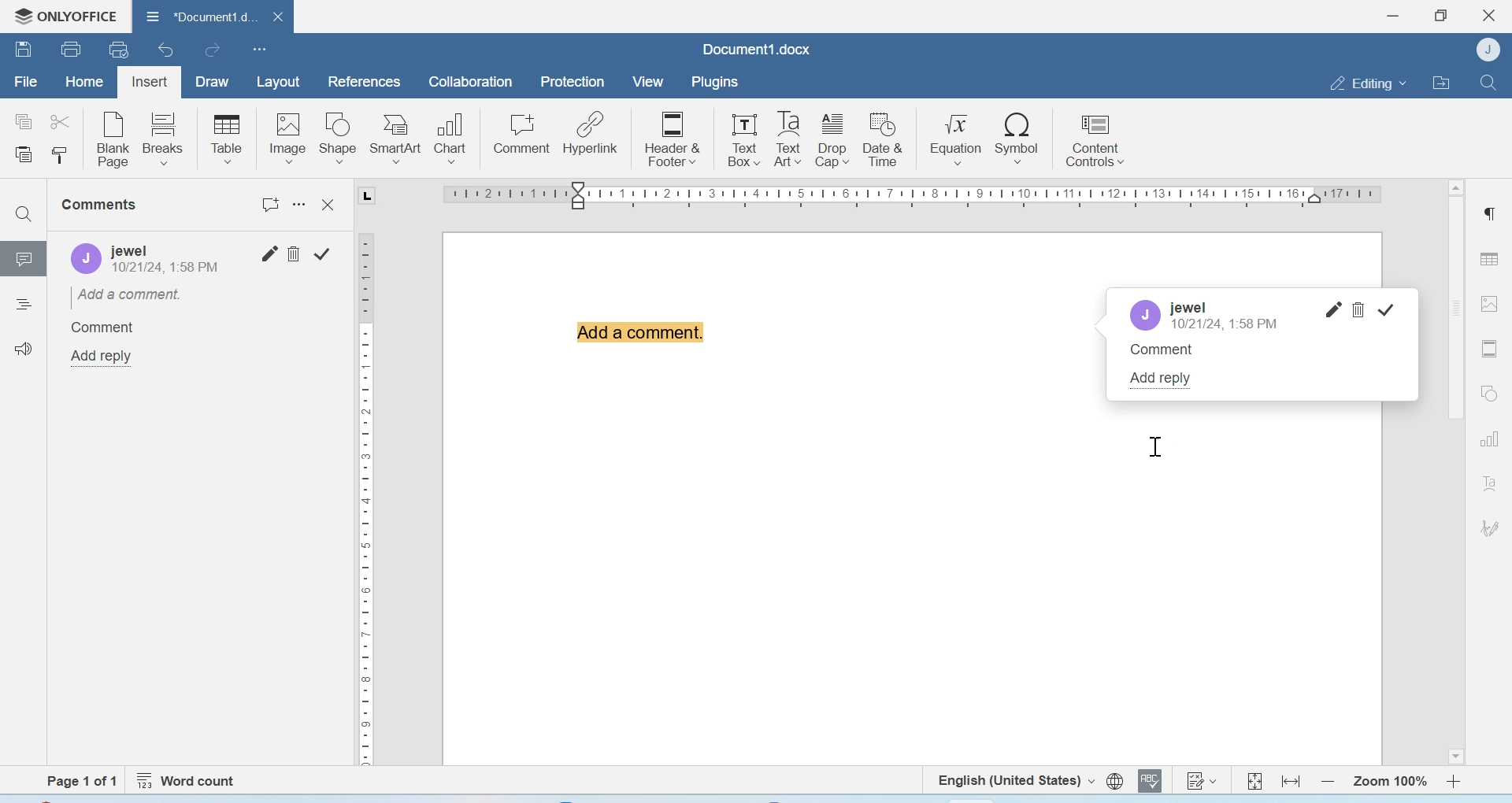  I want to click on Minimize, so click(1395, 16).